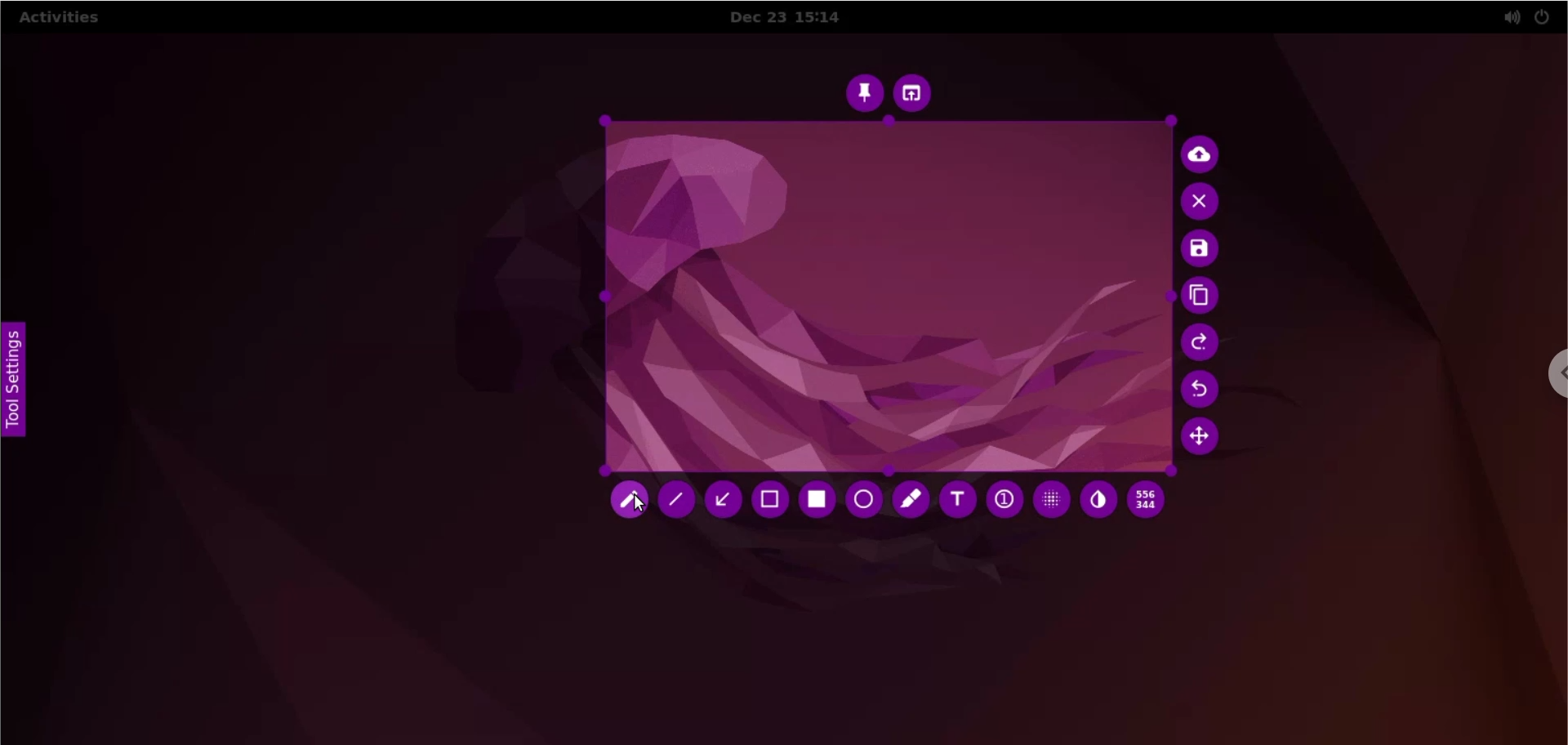 The width and height of the screenshot is (1568, 745). I want to click on move selection, so click(1203, 440).